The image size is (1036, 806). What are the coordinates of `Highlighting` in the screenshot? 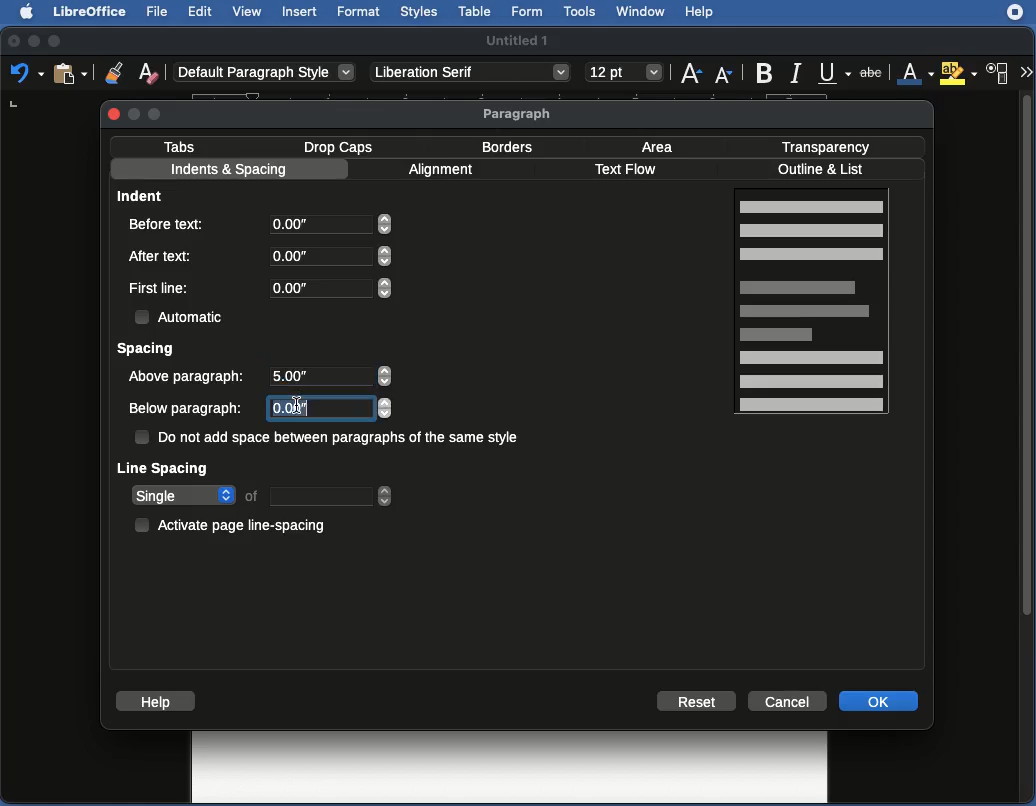 It's located at (960, 73).